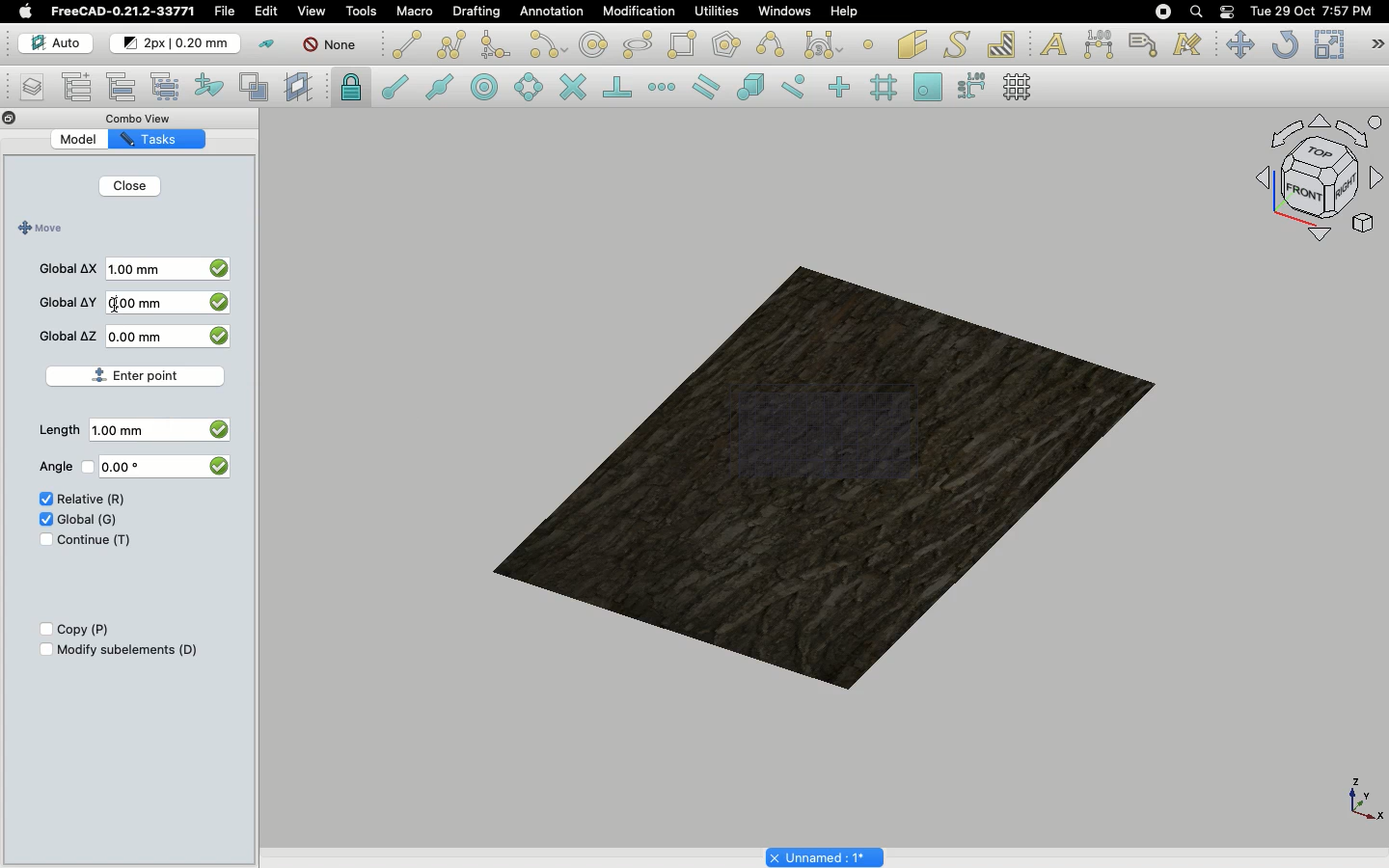 The image size is (1389, 868). What do you see at coordinates (960, 46) in the screenshot?
I see `Shape from text` at bounding box center [960, 46].